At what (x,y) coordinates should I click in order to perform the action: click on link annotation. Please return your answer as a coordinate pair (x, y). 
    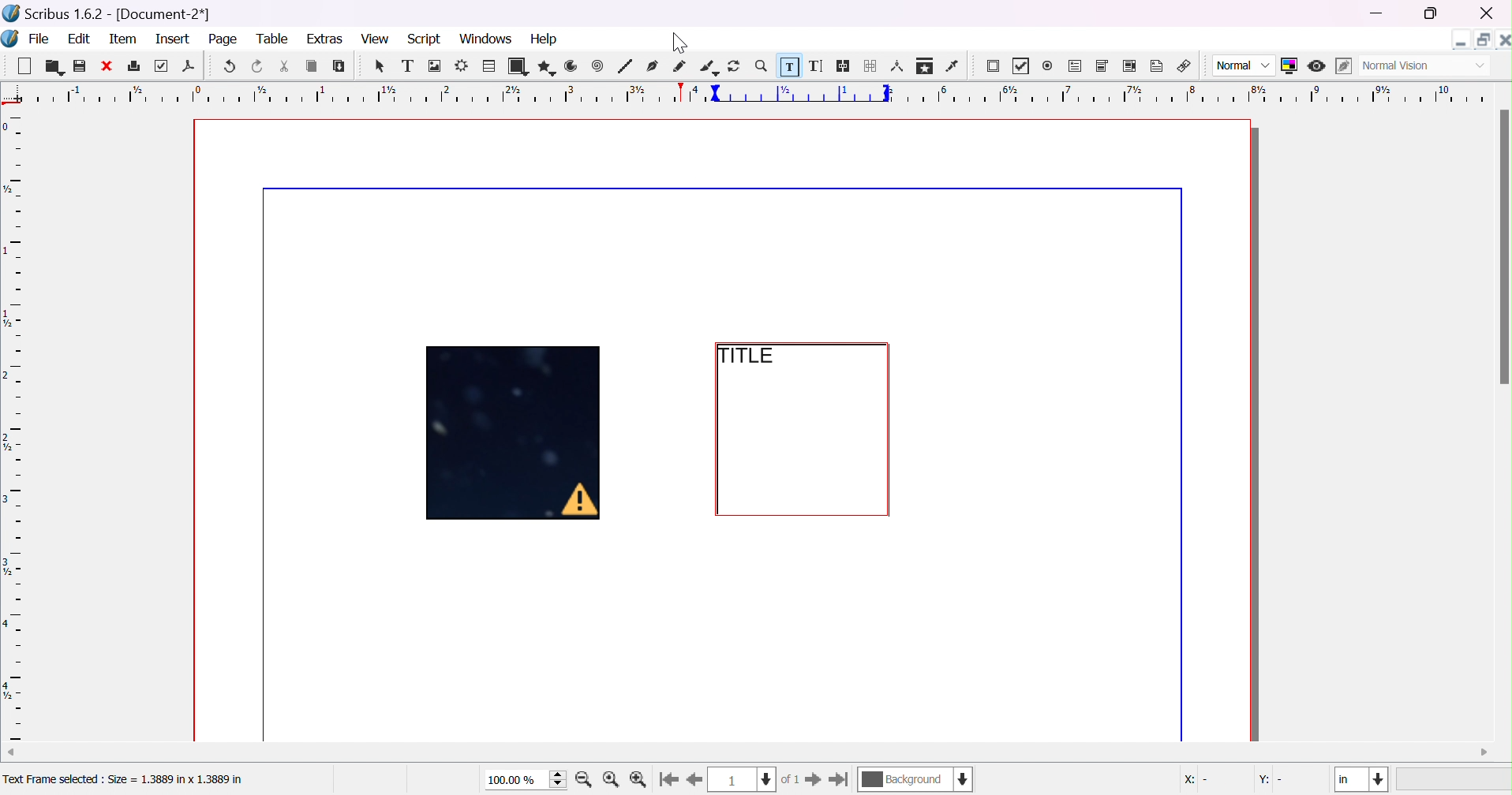
    Looking at the image, I should click on (1185, 64).